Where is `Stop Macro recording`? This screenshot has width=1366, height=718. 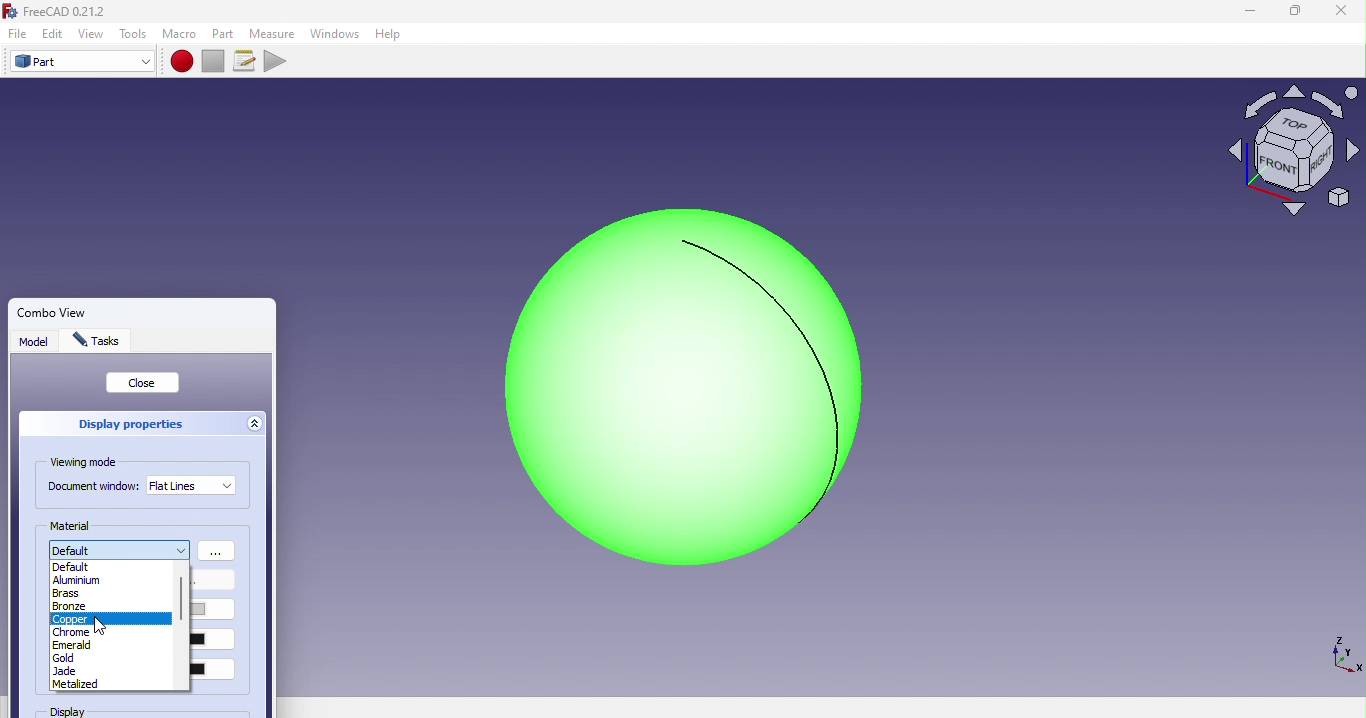
Stop Macro recording is located at coordinates (217, 60).